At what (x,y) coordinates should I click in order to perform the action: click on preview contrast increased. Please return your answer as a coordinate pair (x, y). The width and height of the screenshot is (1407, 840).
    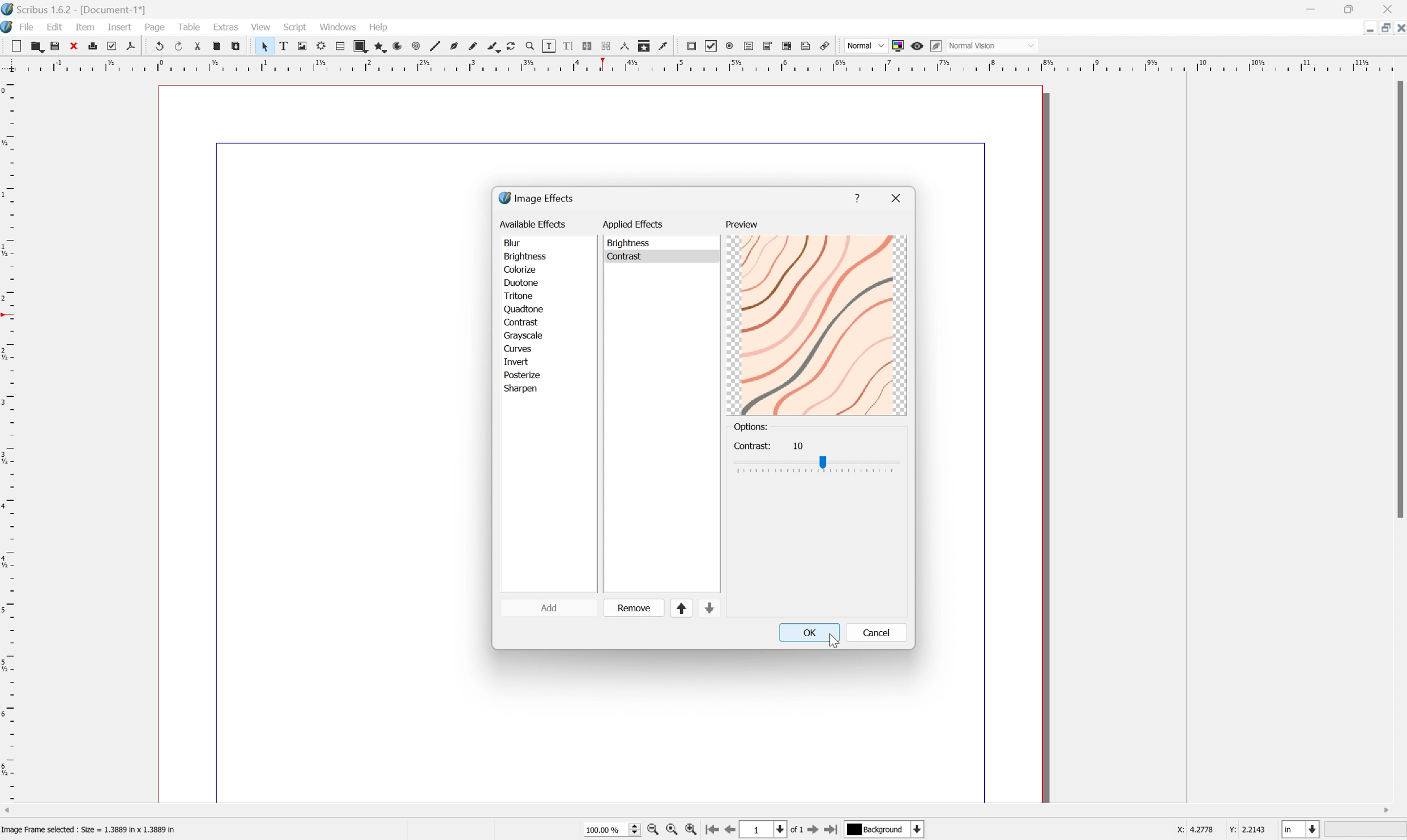
    Looking at the image, I should click on (818, 324).